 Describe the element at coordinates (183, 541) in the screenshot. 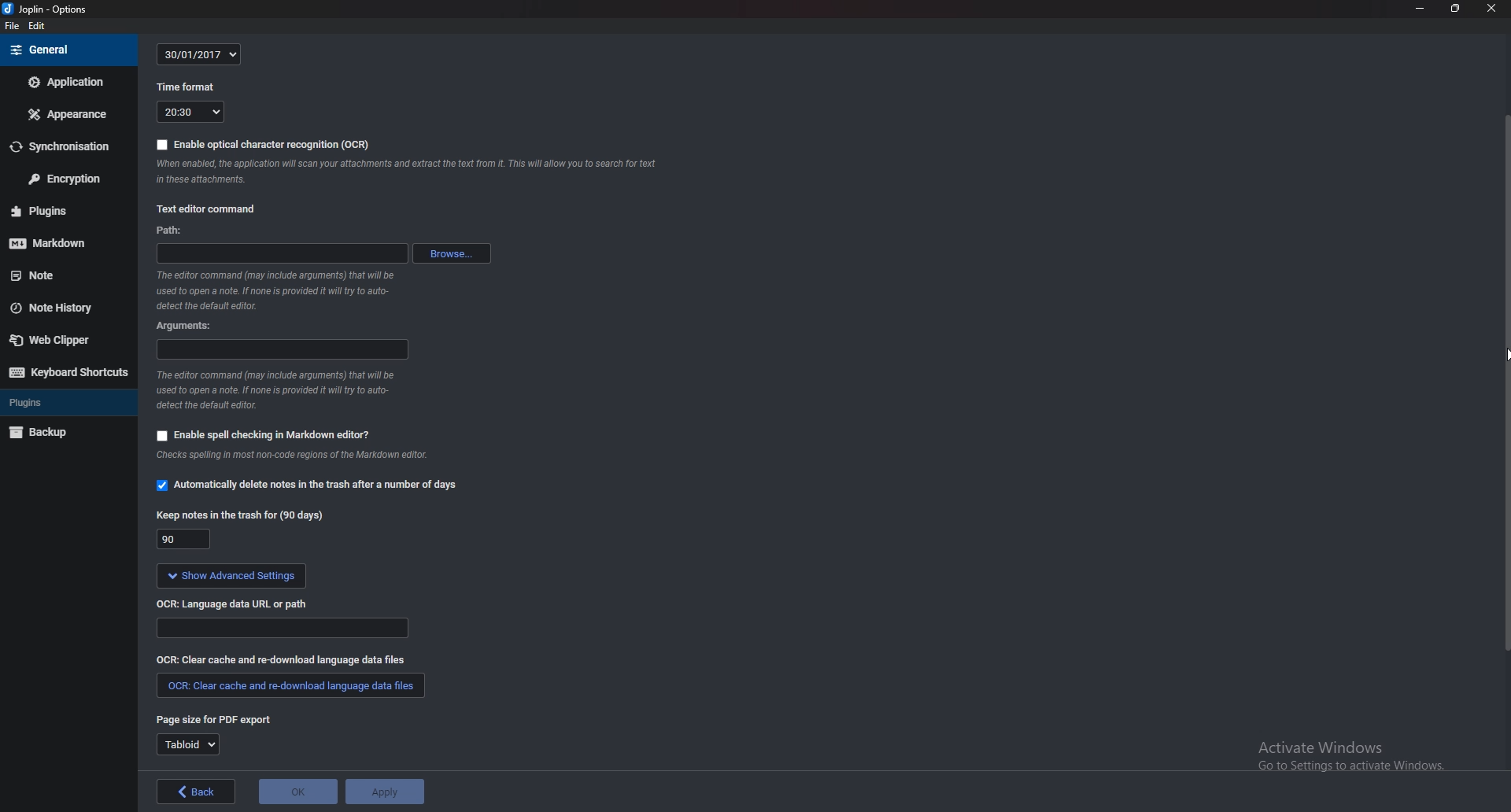

I see `90 days` at that location.